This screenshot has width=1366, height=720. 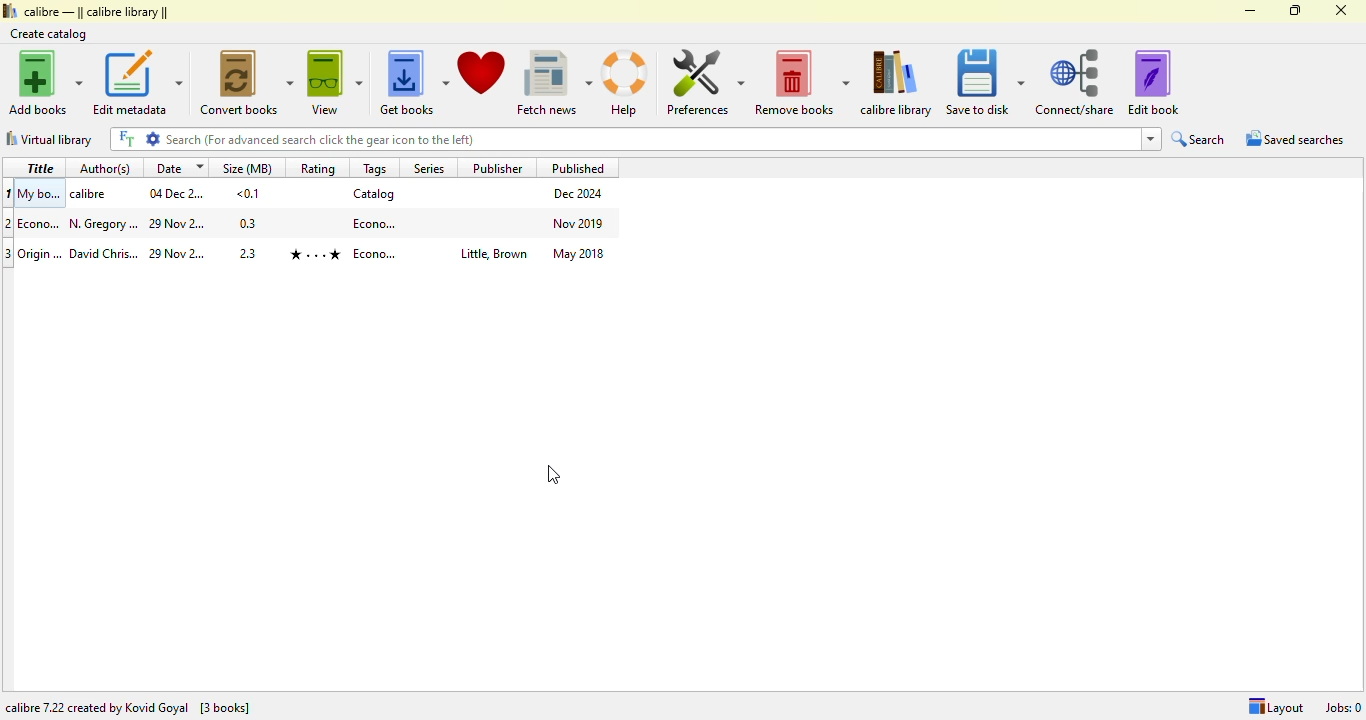 I want to click on edit metadata, so click(x=137, y=83).